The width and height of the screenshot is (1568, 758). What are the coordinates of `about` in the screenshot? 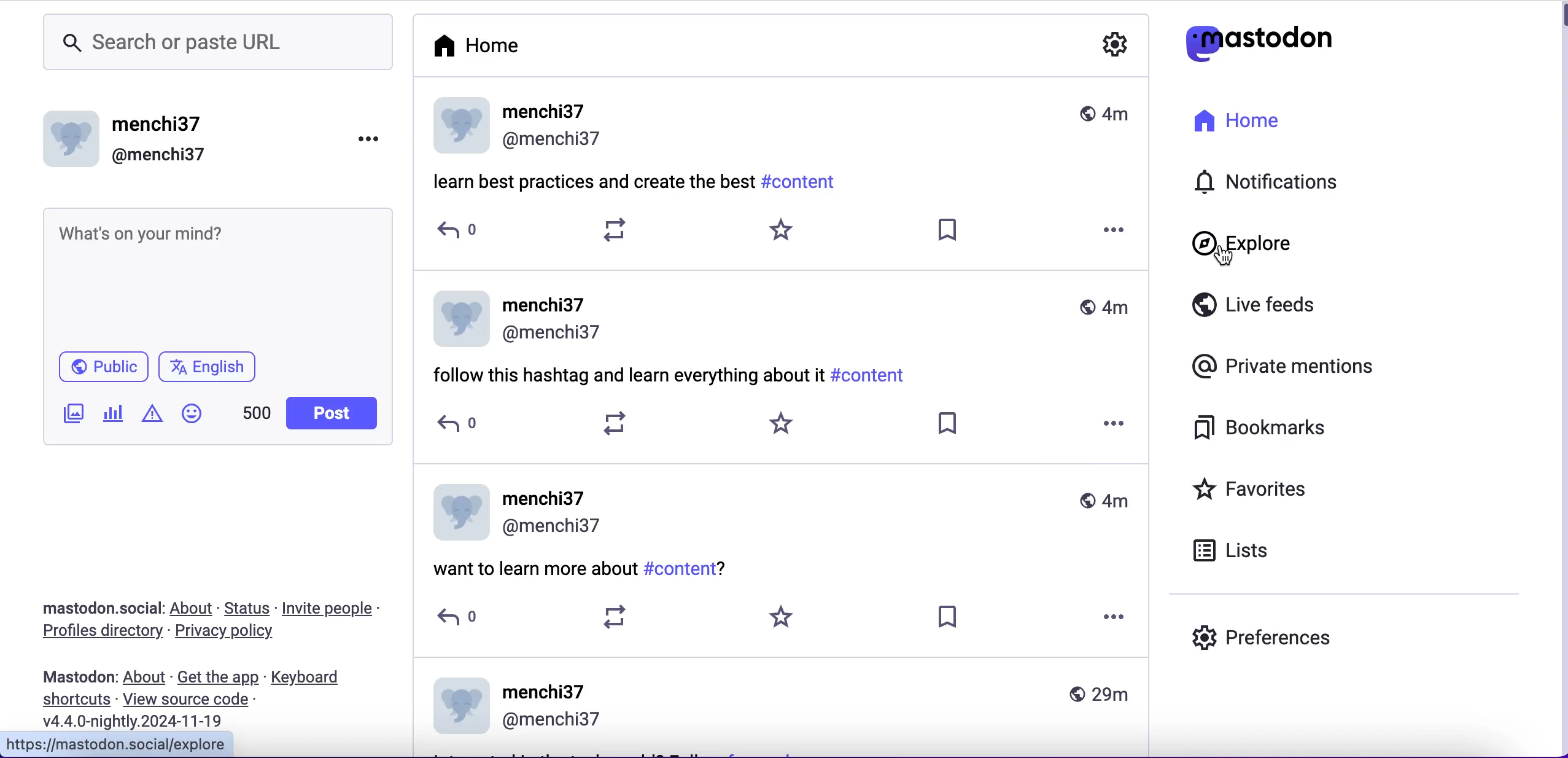 It's located at (193, 609).